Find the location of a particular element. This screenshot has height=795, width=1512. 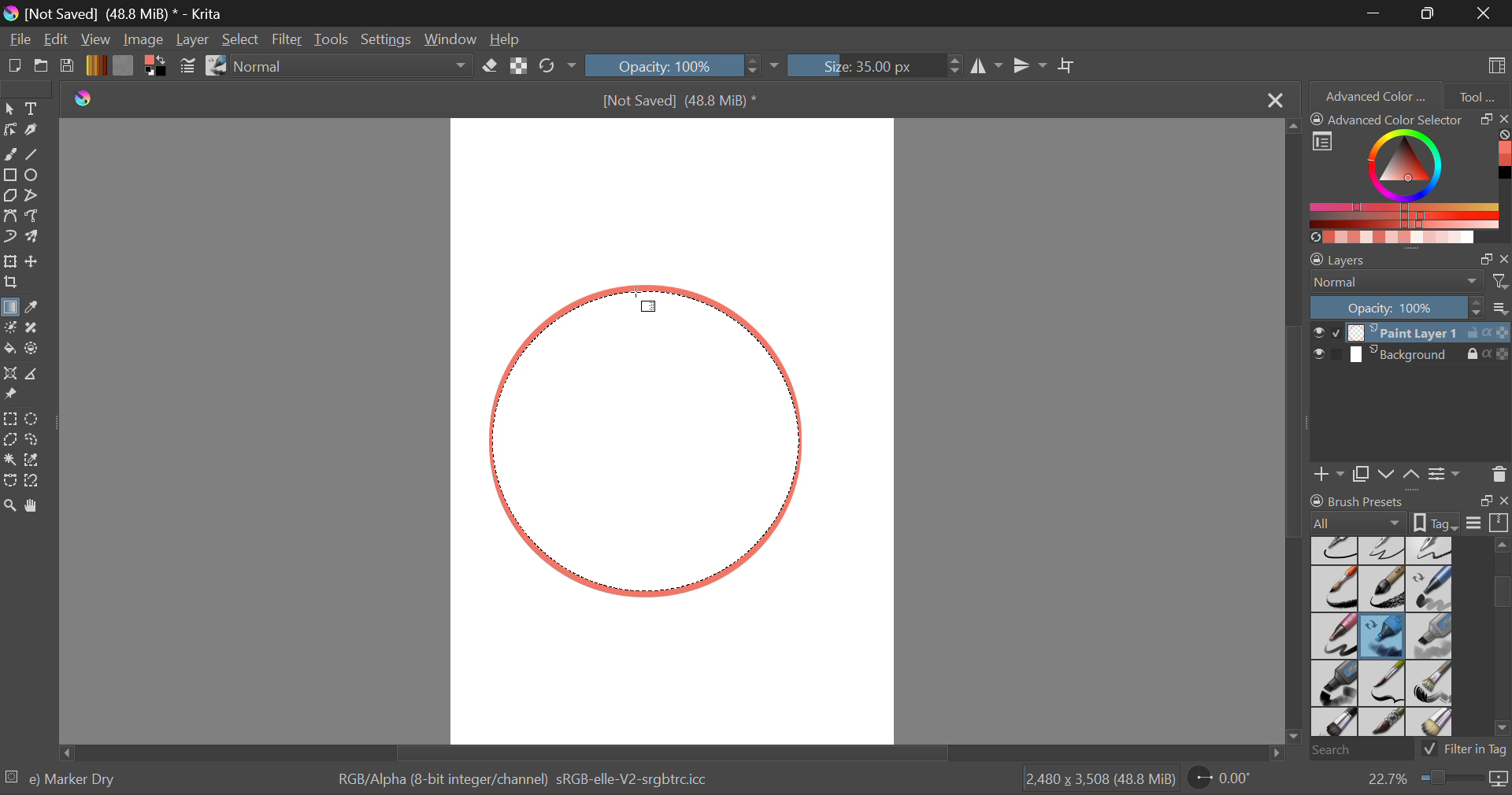

Size : 35px is located at coordinates (874, 65).